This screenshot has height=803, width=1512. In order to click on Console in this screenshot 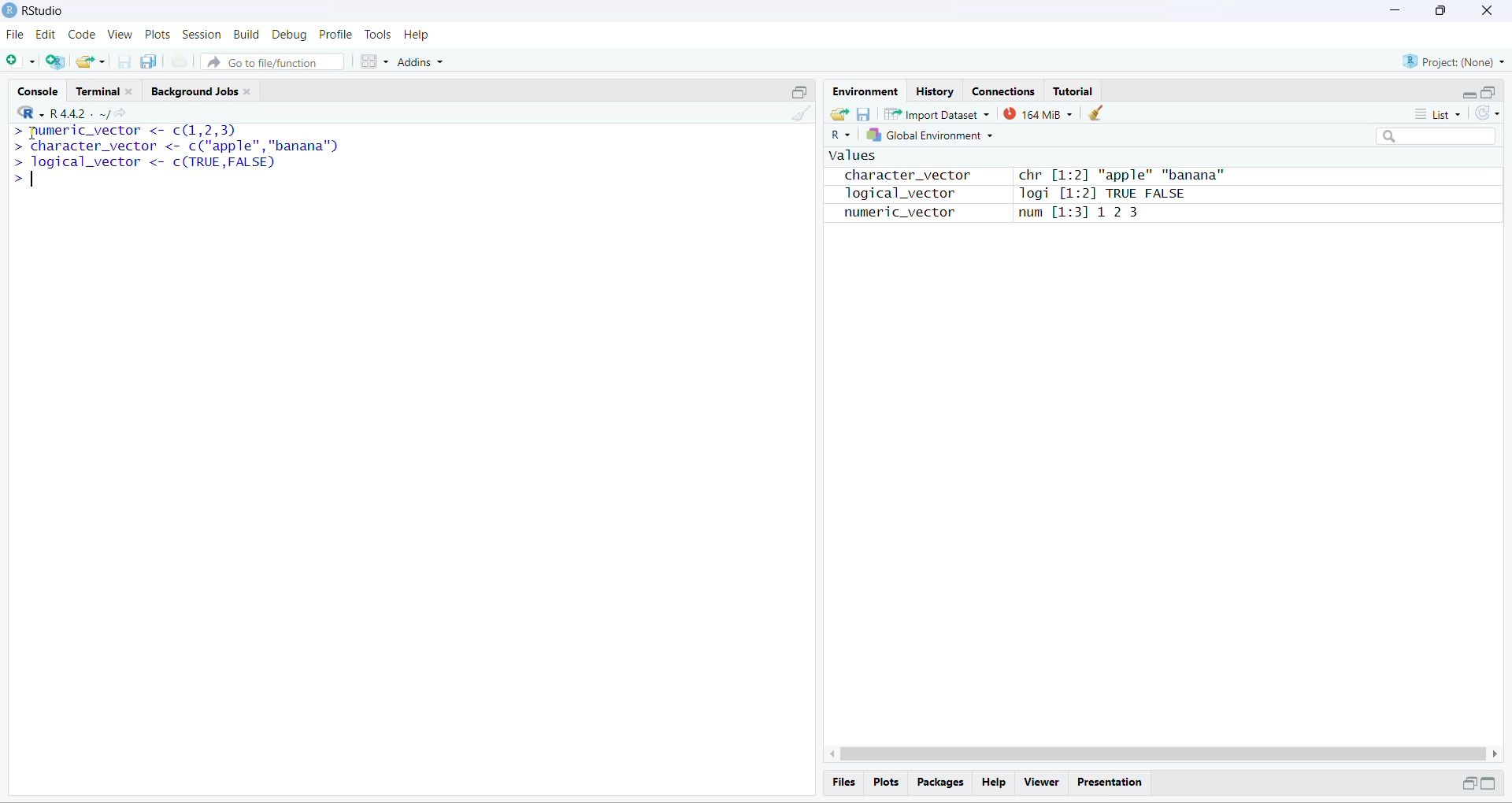, I will do `click(37, 89)`.